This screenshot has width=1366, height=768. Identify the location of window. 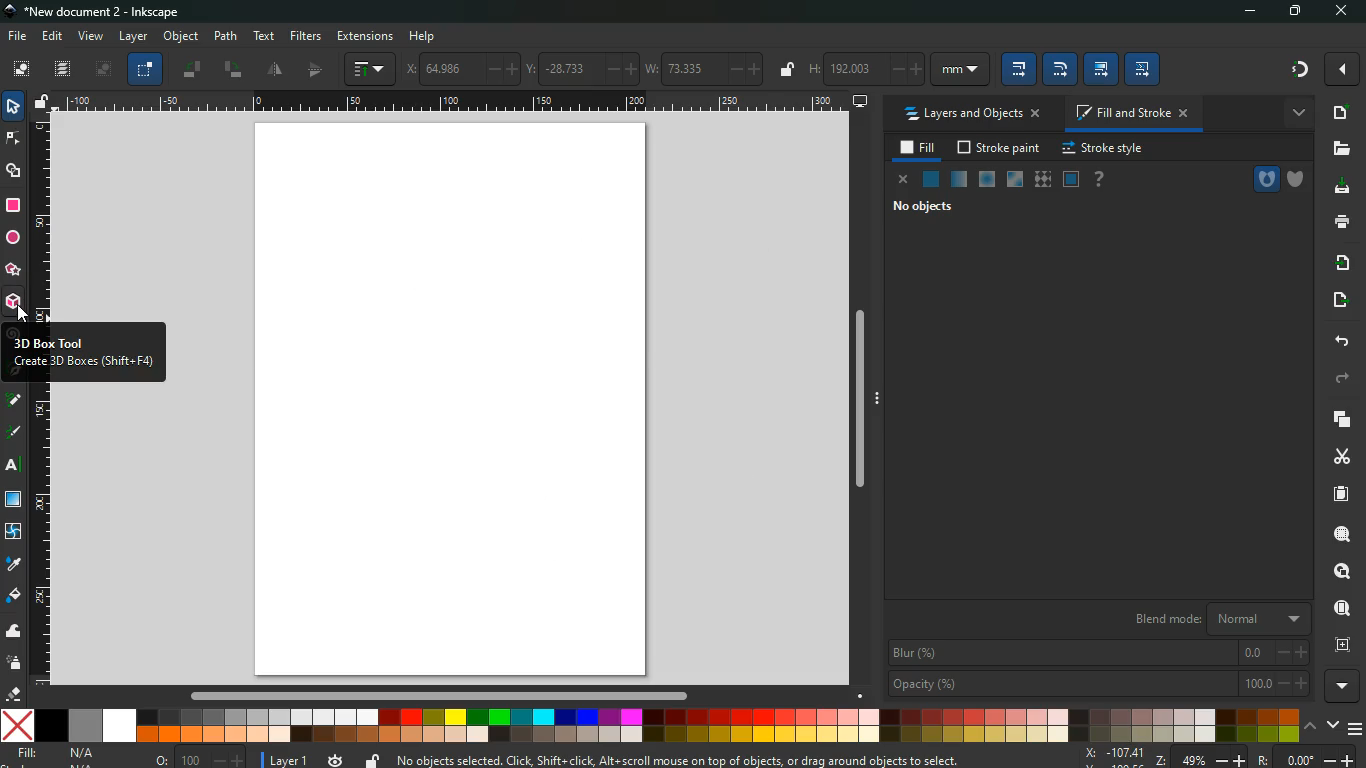
(1013, 180).